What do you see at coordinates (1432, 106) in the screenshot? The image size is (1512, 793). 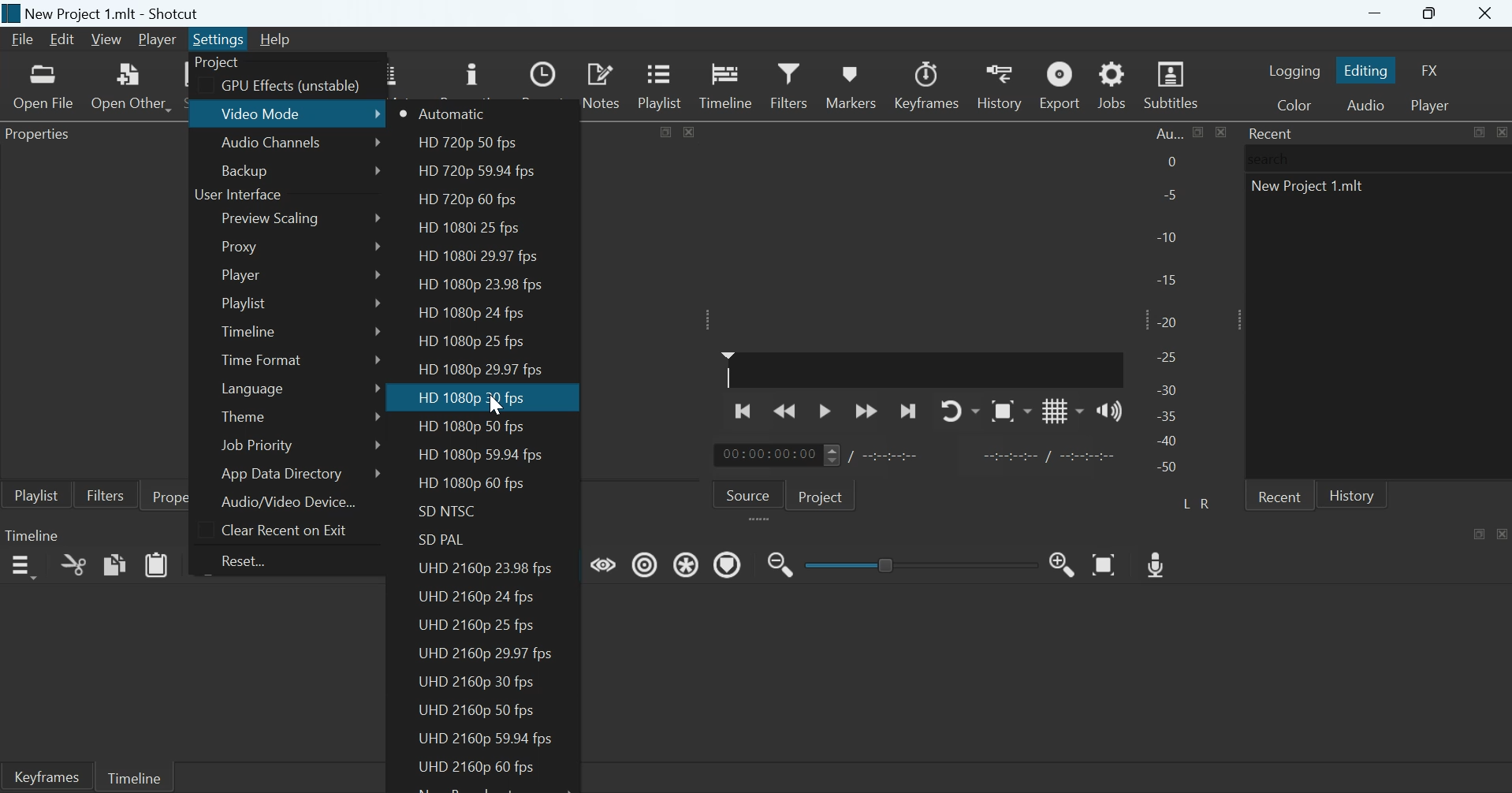 I see `Switch to the Player only layout` at bounding box center [1432, 106].